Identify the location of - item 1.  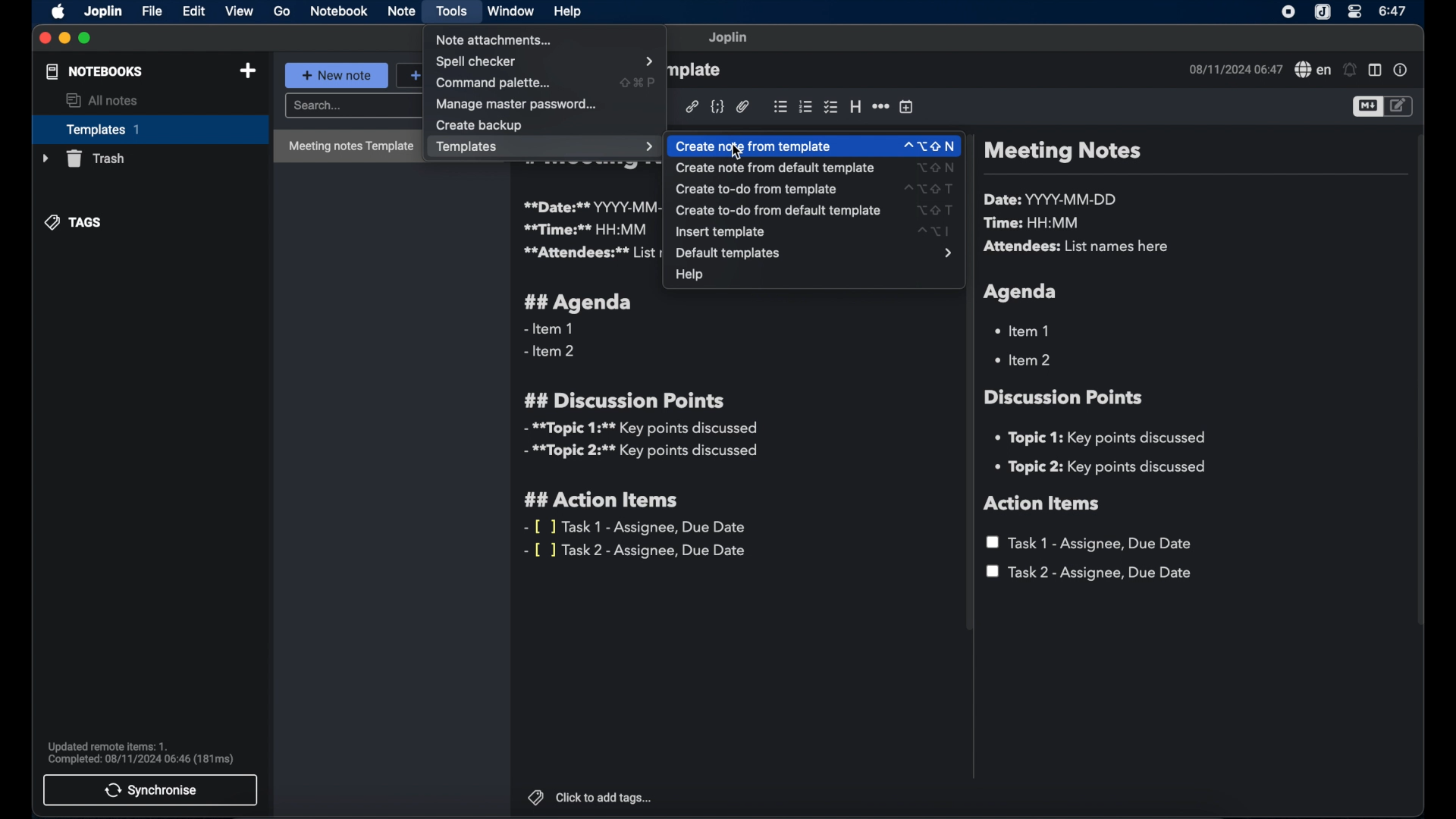
(548, 329).